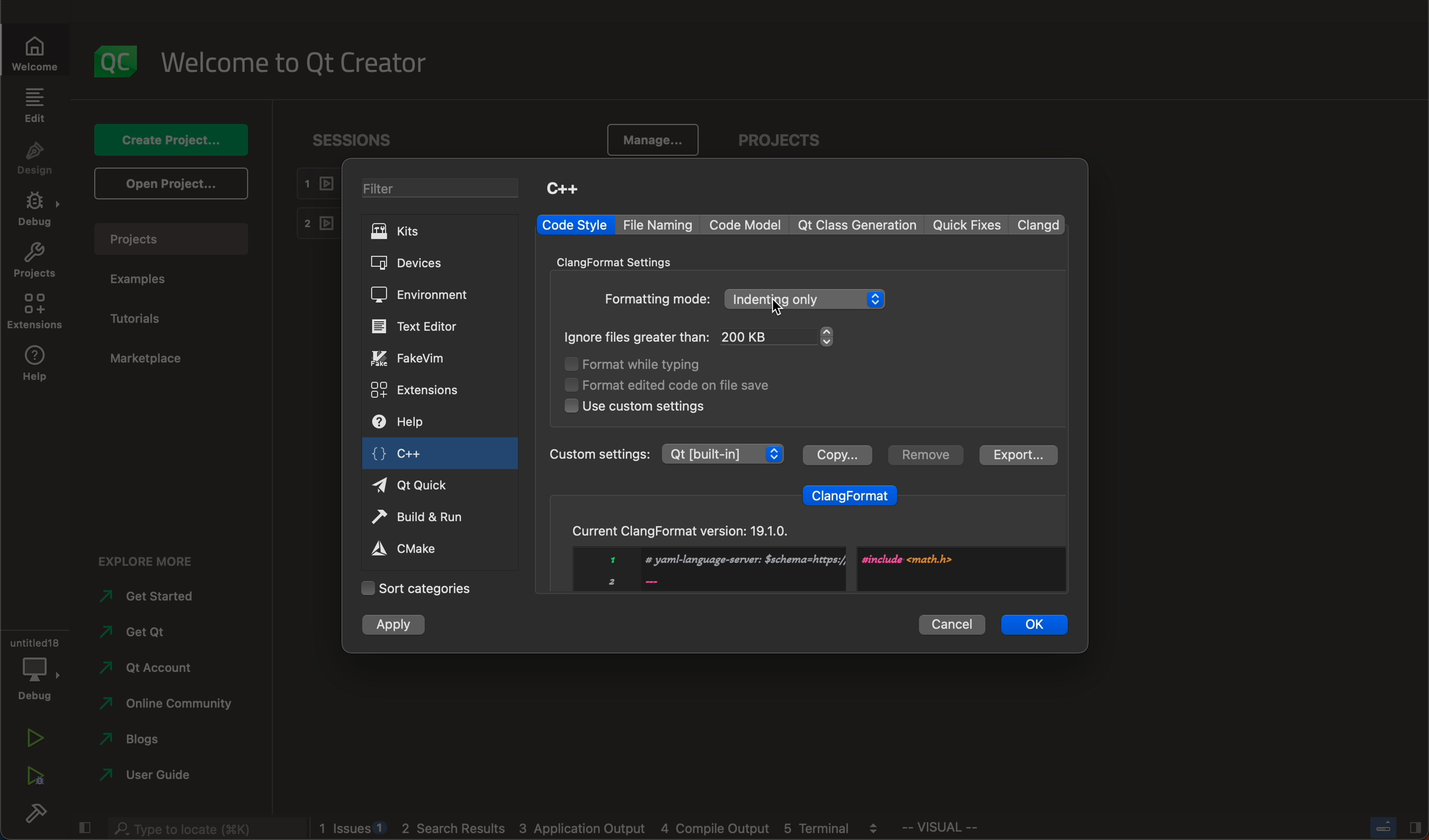 The image size is (1429, 840). Describe the element at coordinates (38, 211) in the screenshot. I see `debug` at that location.